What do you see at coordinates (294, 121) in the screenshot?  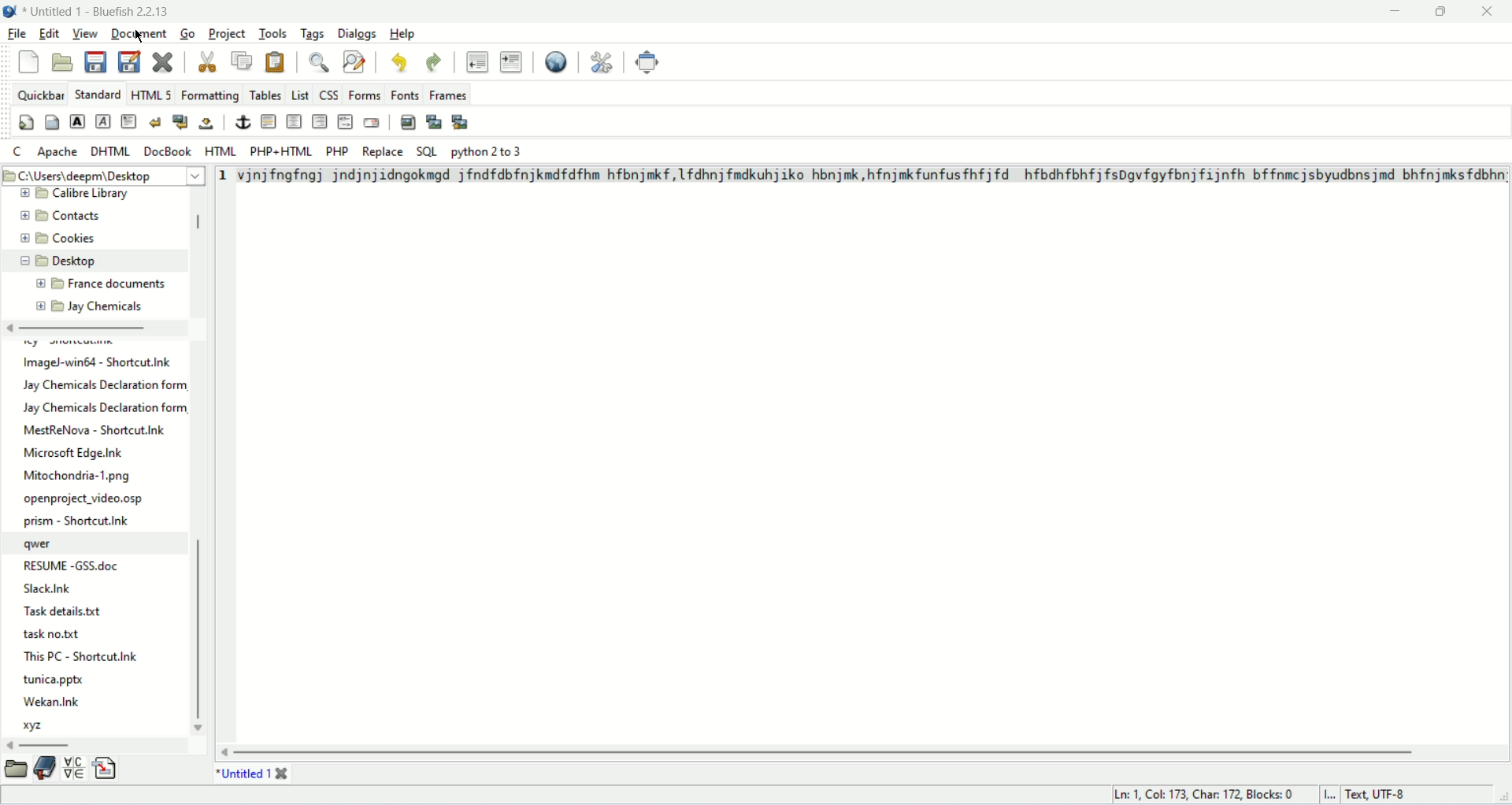 I see `center` at bounding box center [294, 121].